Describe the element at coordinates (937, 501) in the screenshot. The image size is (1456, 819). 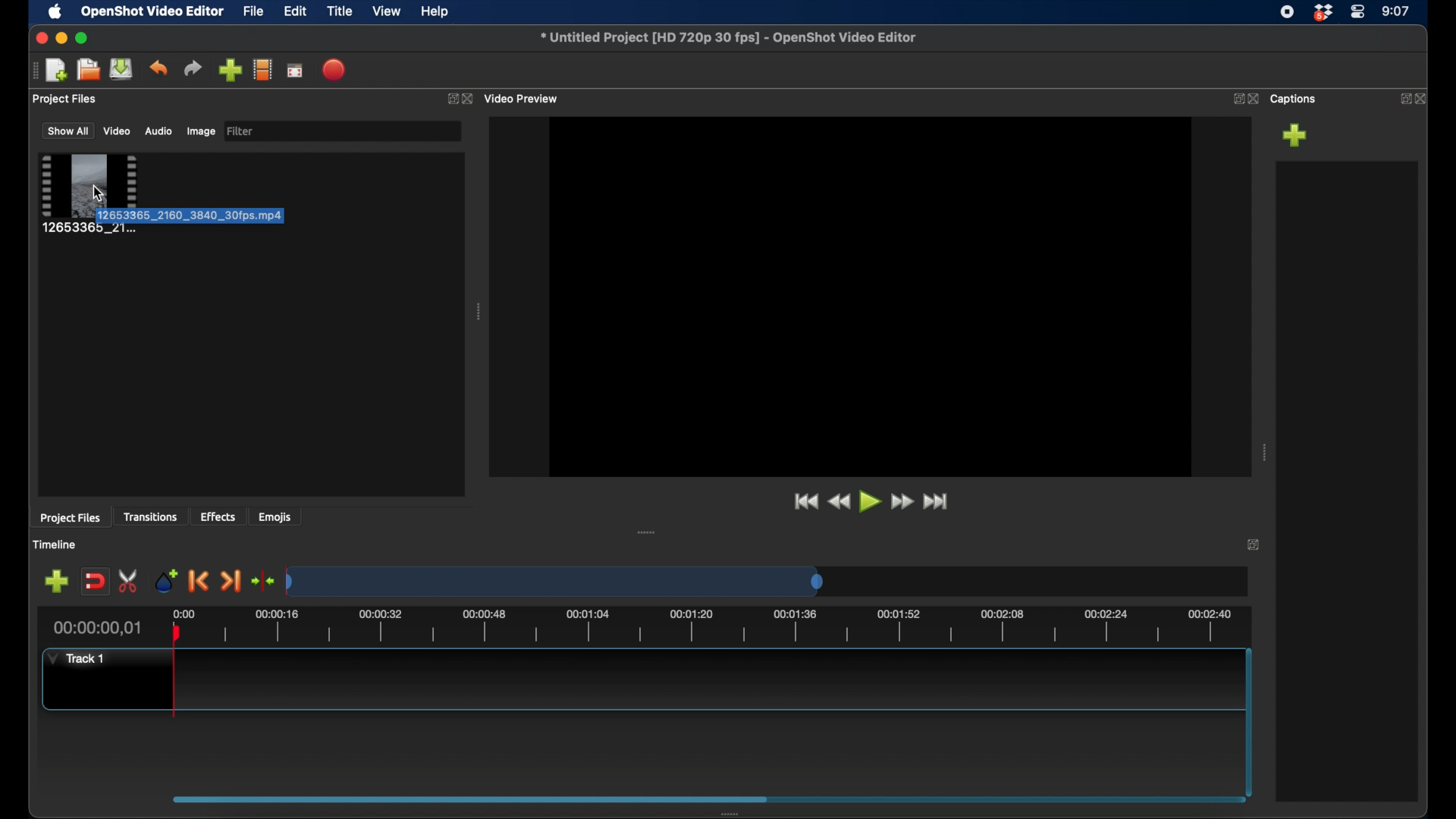
I see `fast forward` at that location.